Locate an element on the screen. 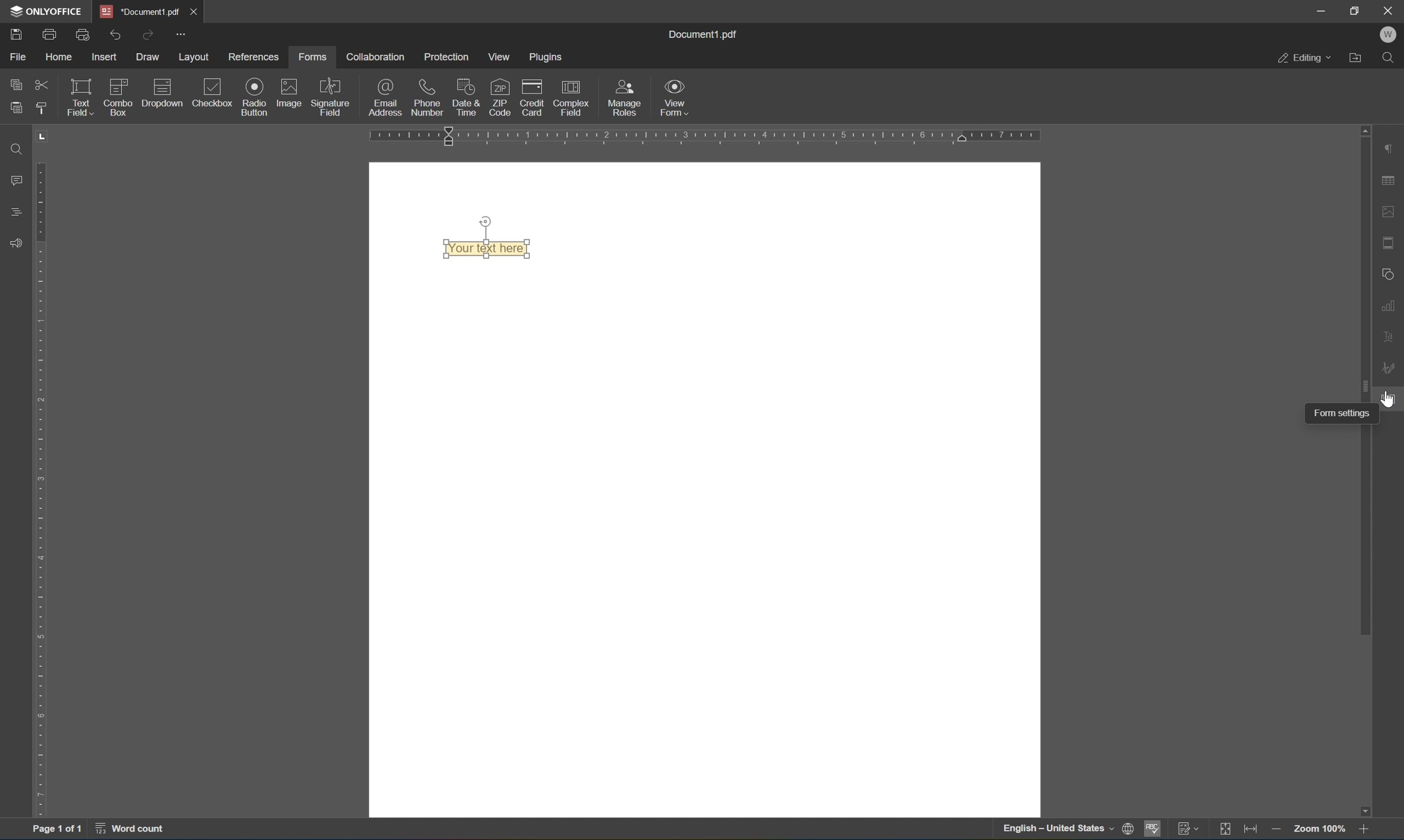 The image size is (1404, 840). zoom in is located at coordinates (1368, 830).